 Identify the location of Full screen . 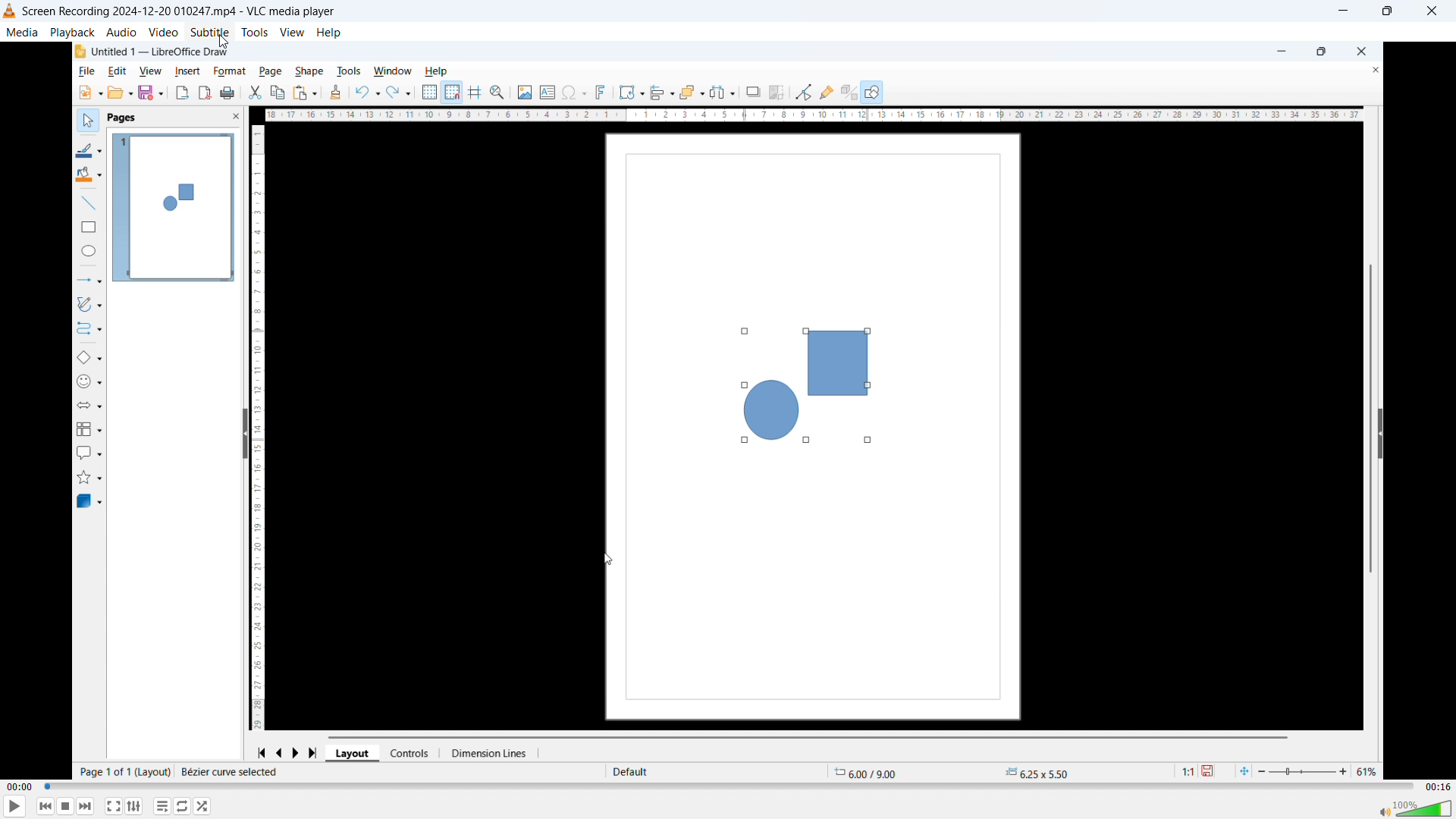
(114, 805).